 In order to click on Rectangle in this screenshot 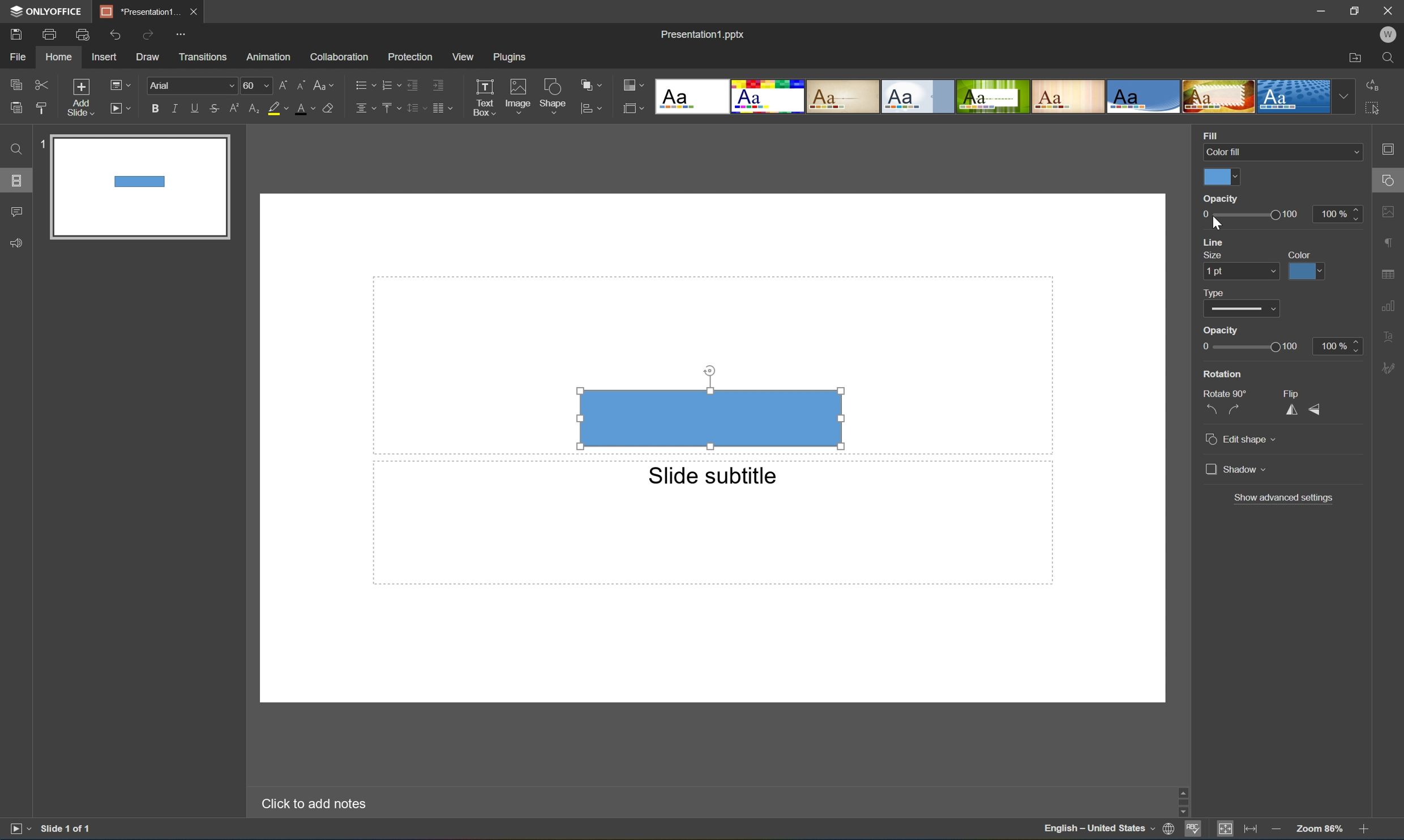, I will do `click(710, 418)`.